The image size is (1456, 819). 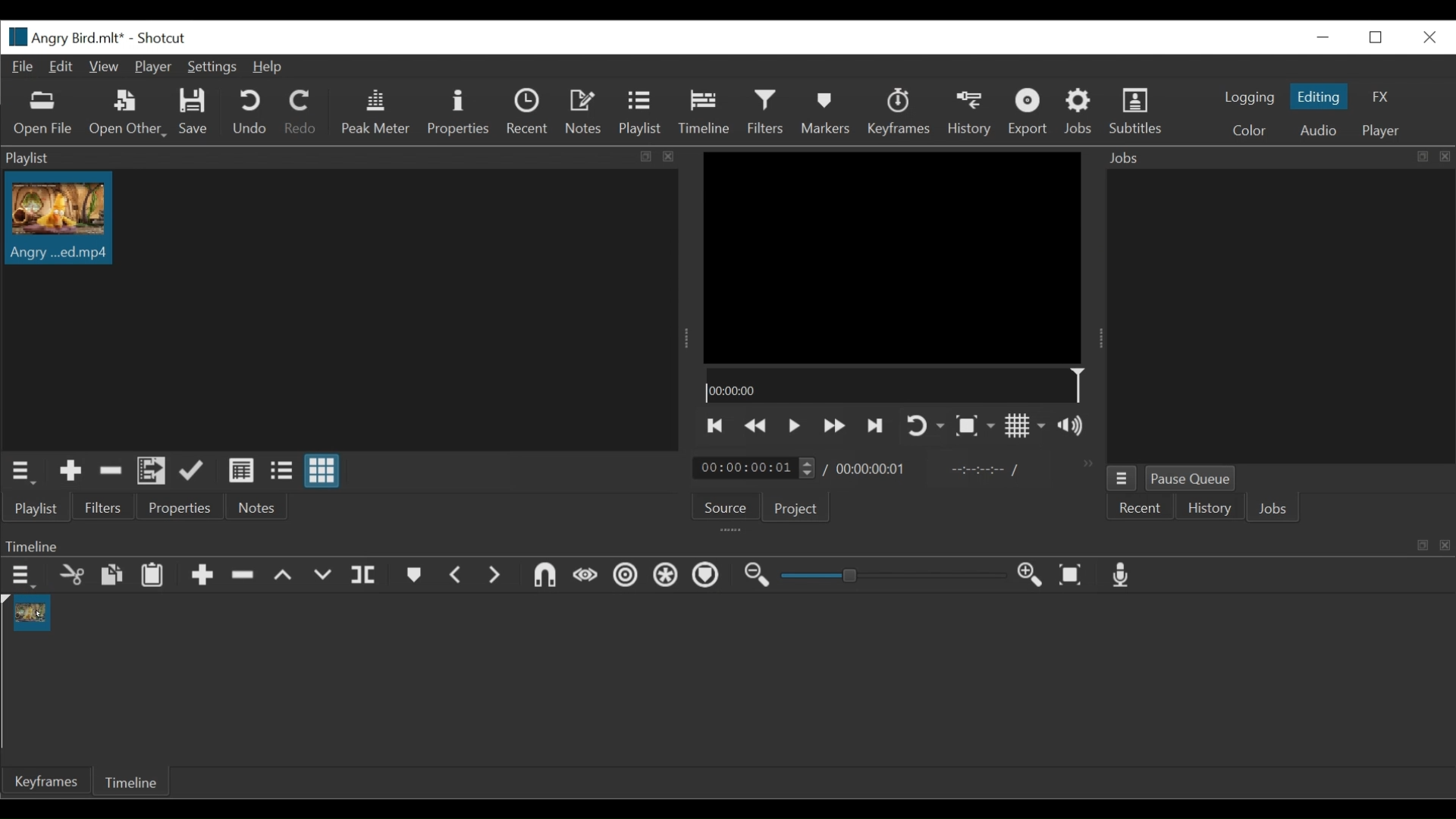 I want to click on Markers, so click(x=413, y=577).